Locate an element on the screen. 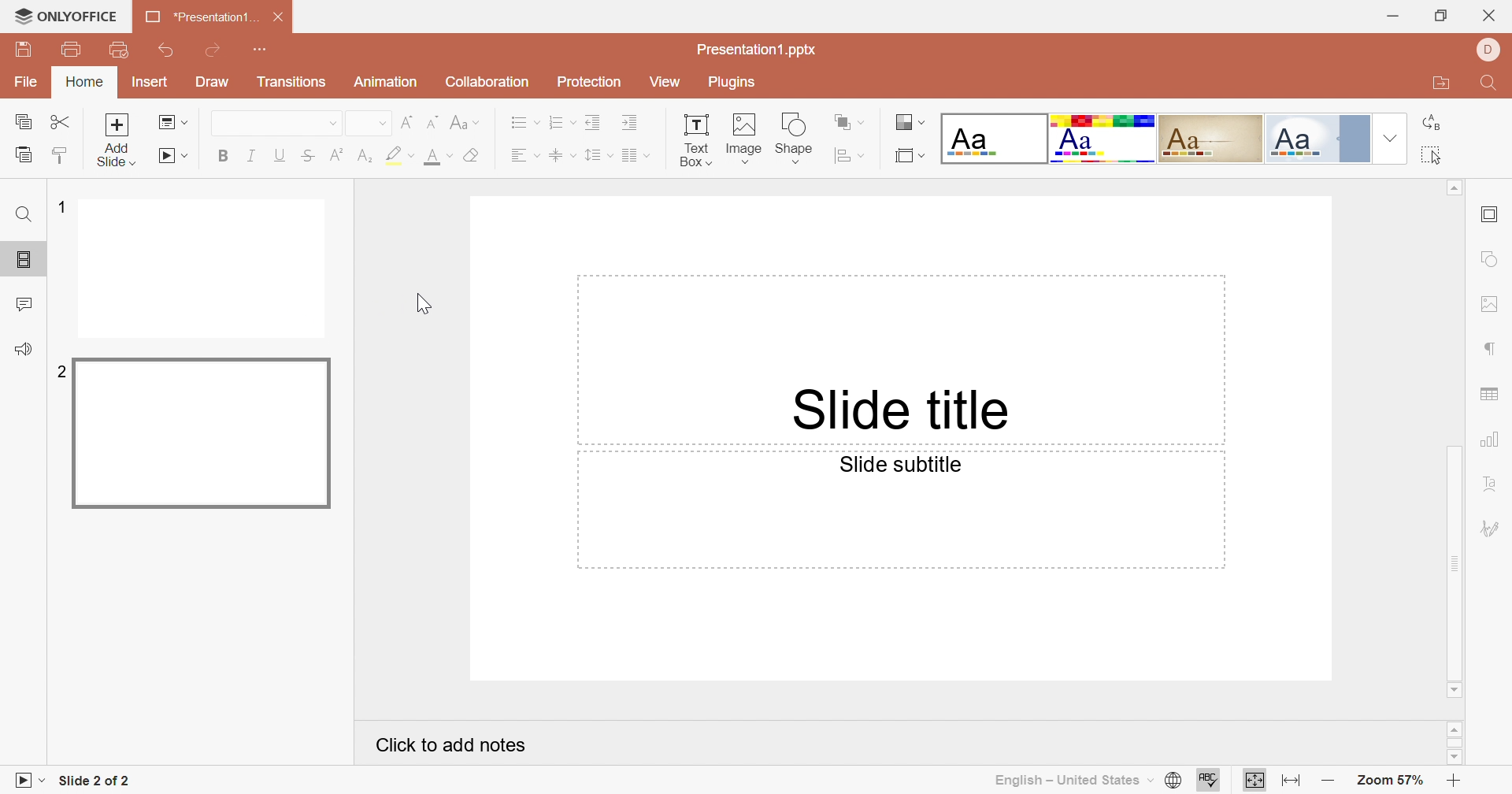  Line spacing is located at coordinates (595, 156).